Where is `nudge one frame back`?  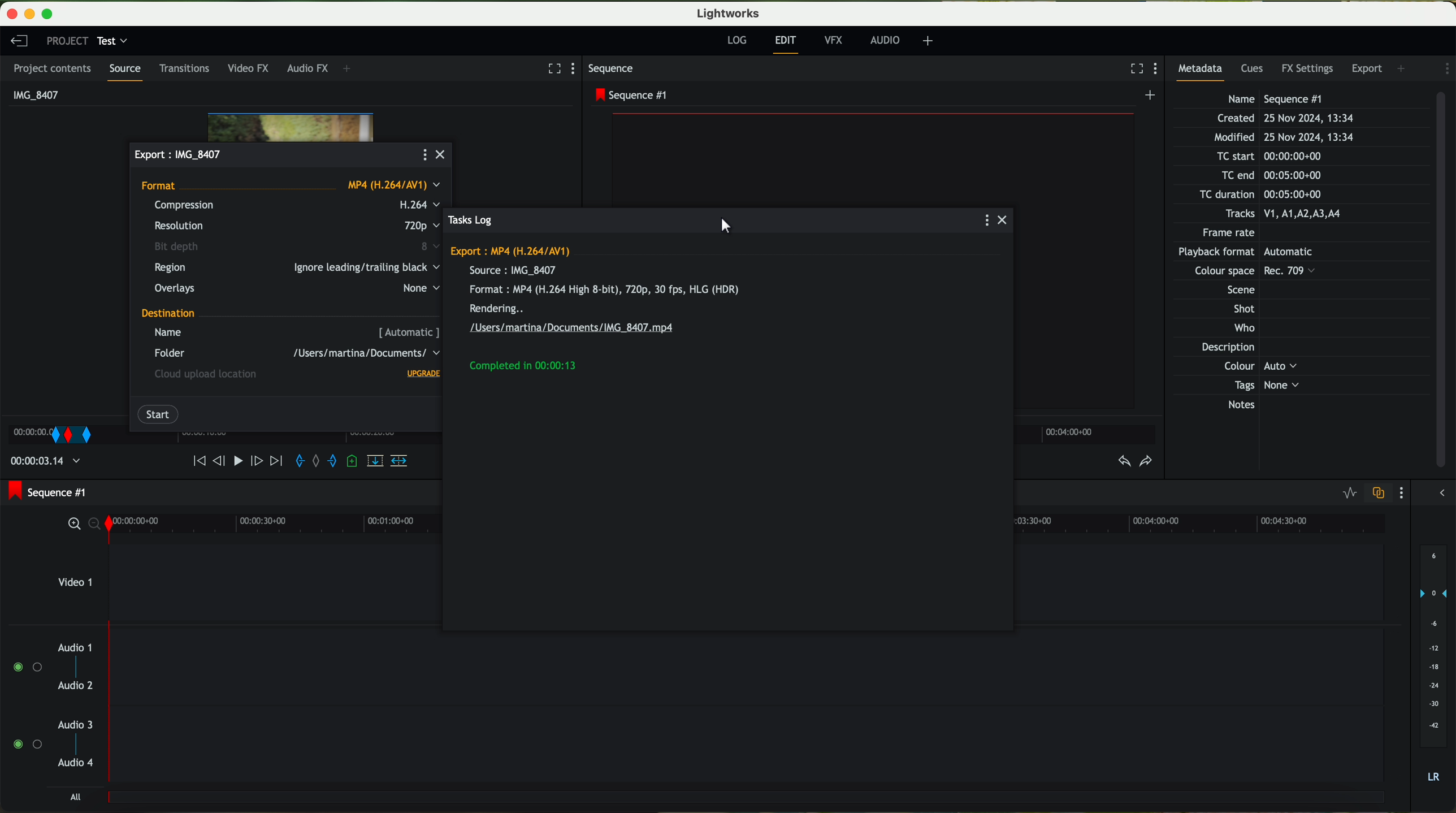 nudge one frame back is located at coordinates (221, 460).